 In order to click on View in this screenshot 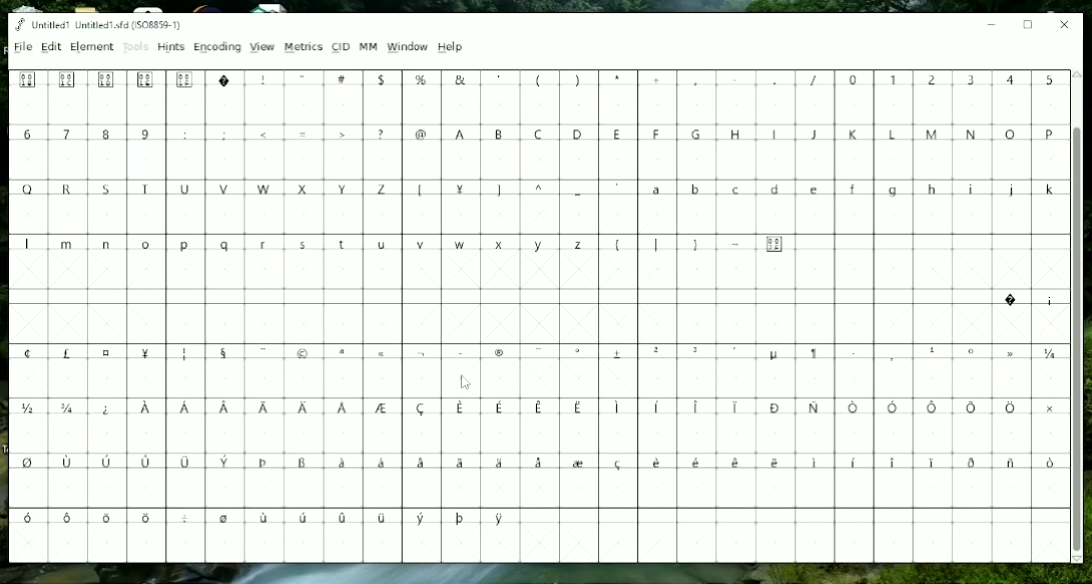, I will do `click(262, 48)`.